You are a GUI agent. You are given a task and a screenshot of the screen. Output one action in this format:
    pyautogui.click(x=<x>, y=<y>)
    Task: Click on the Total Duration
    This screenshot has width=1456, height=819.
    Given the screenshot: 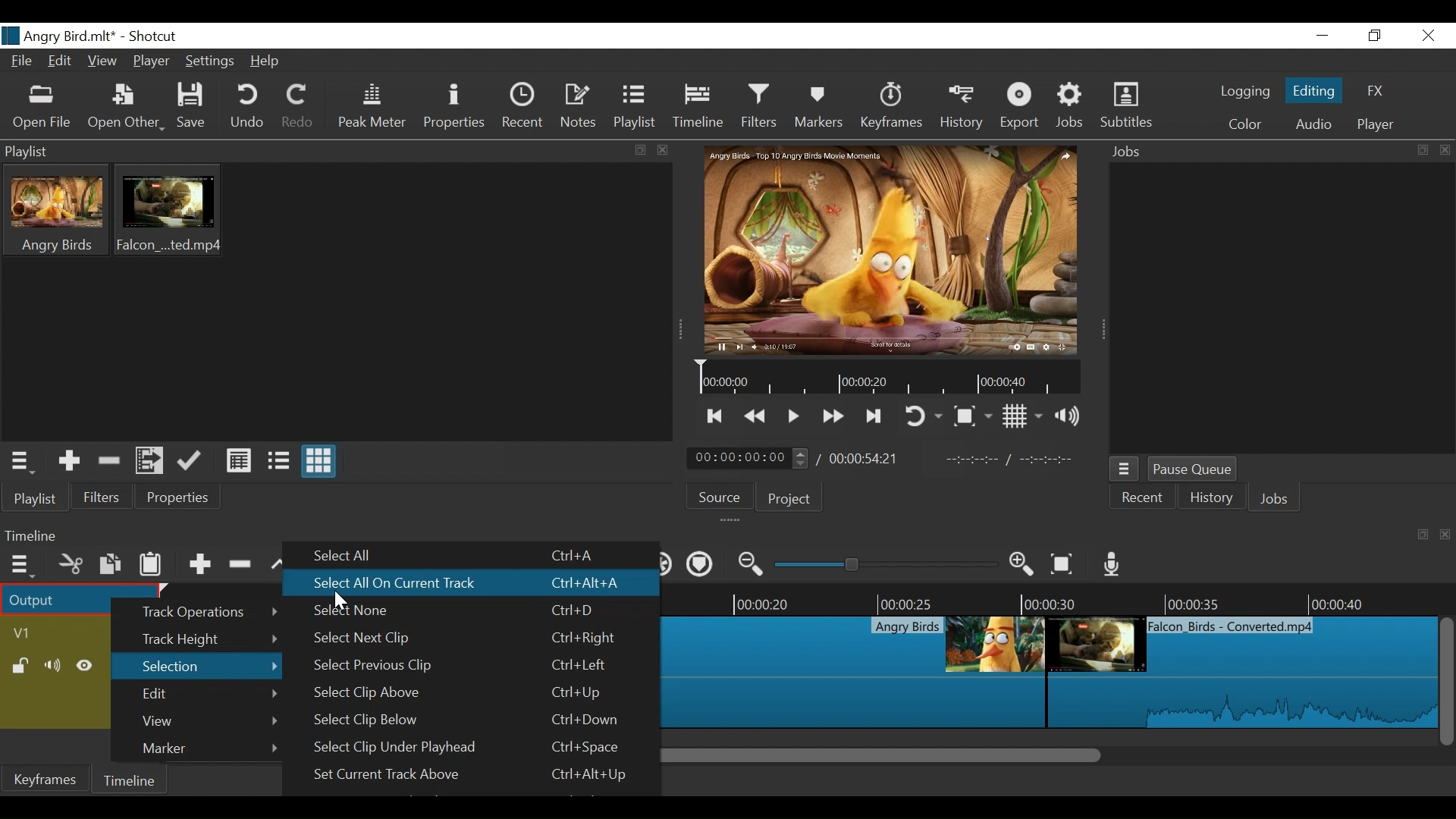 What is the action you would take?
    pyautogui.click(x=864, y=459)
    